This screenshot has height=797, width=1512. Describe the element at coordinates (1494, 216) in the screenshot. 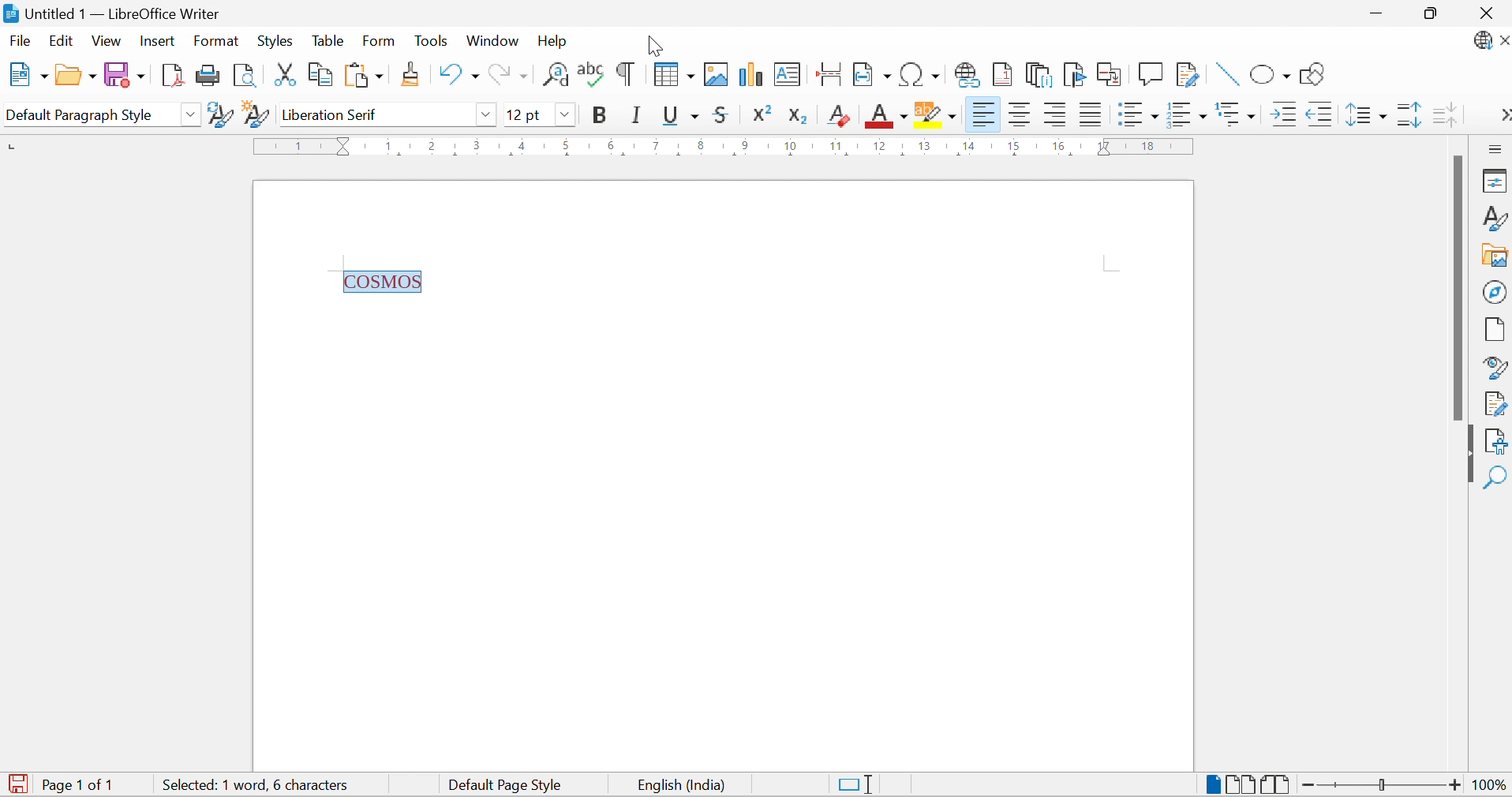

I see `Styles` at that location.